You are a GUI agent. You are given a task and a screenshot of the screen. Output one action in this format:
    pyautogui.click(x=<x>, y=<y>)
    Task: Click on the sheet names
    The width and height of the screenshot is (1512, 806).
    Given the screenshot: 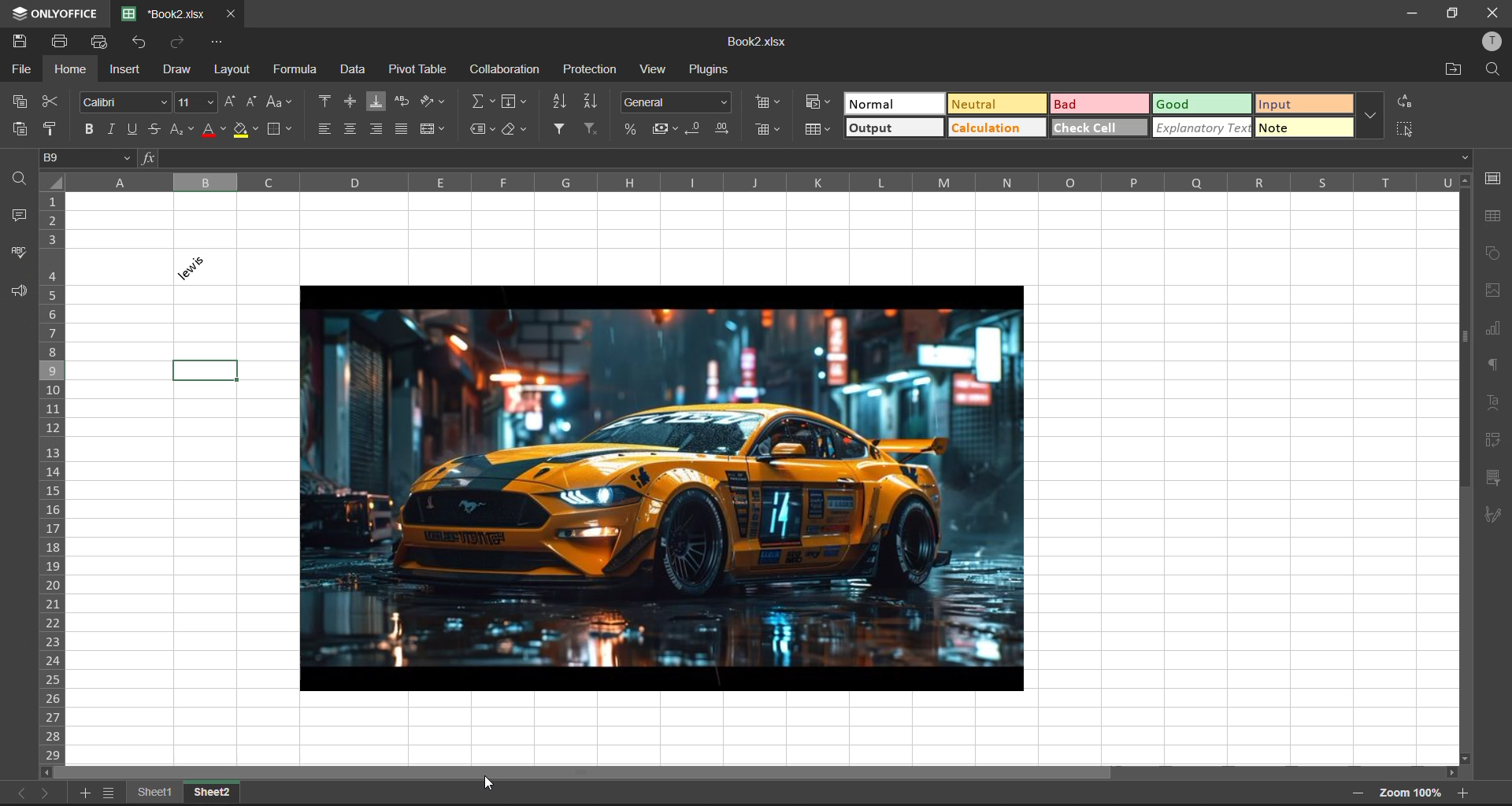 What is the action you would take?
    pyautogui.click(x=187, y=792)
    